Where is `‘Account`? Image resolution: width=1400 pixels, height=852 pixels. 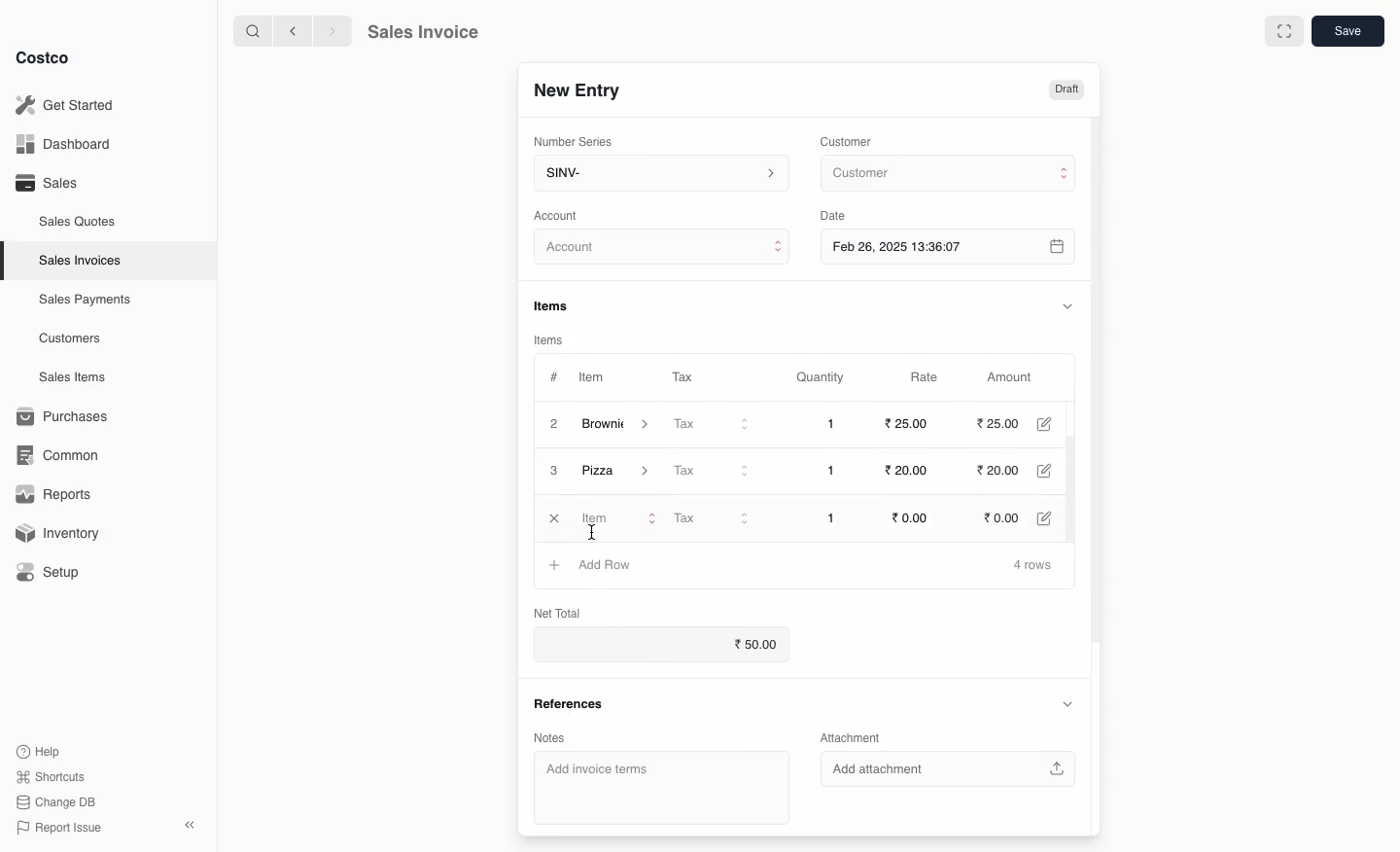
‘Account is located at coordinates (560, 215).